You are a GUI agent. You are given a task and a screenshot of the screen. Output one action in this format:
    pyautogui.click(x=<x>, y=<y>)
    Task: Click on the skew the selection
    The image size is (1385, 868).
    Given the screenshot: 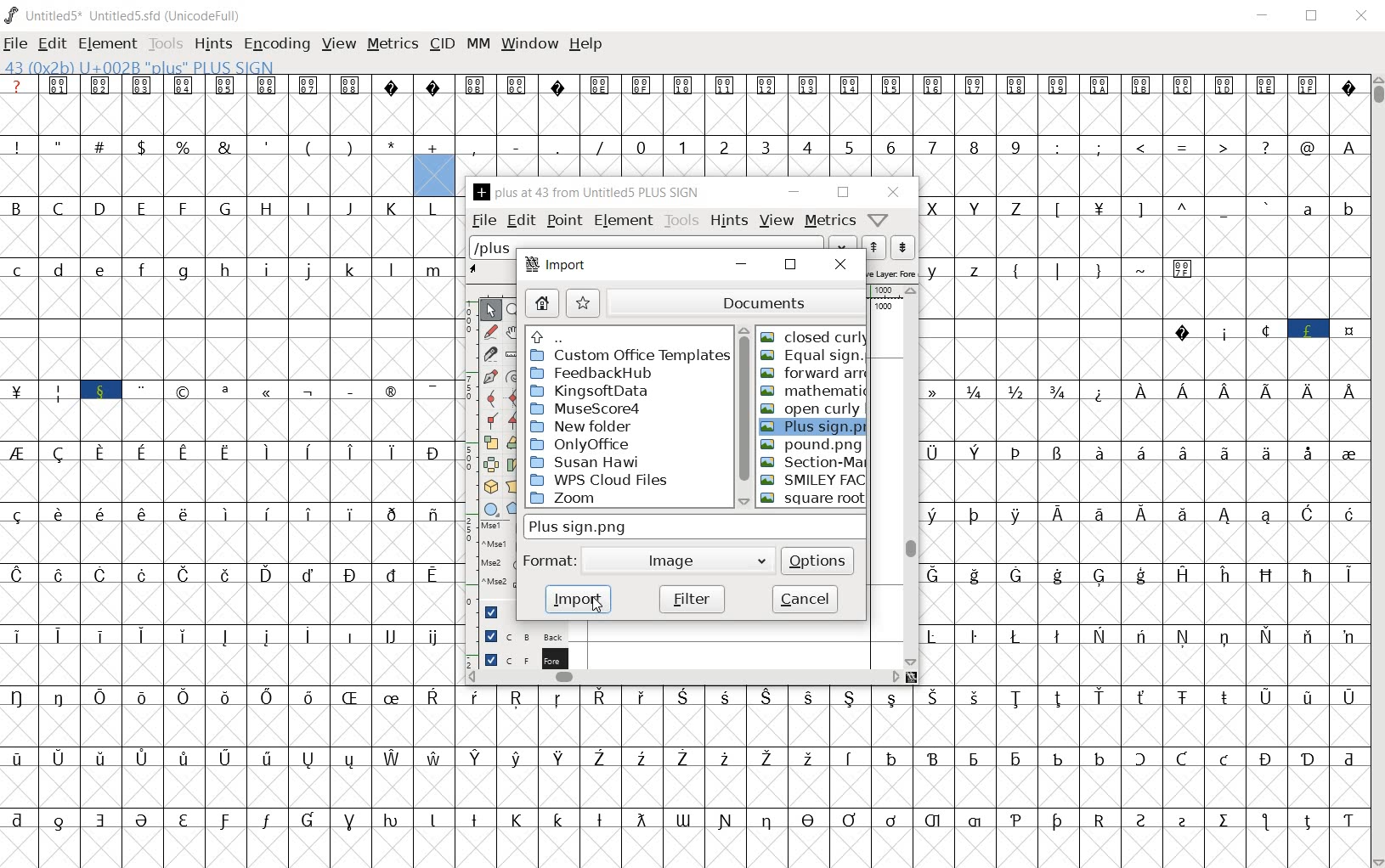 What is the action you would take?
    pyautogui.click(x=514, y=465)
    